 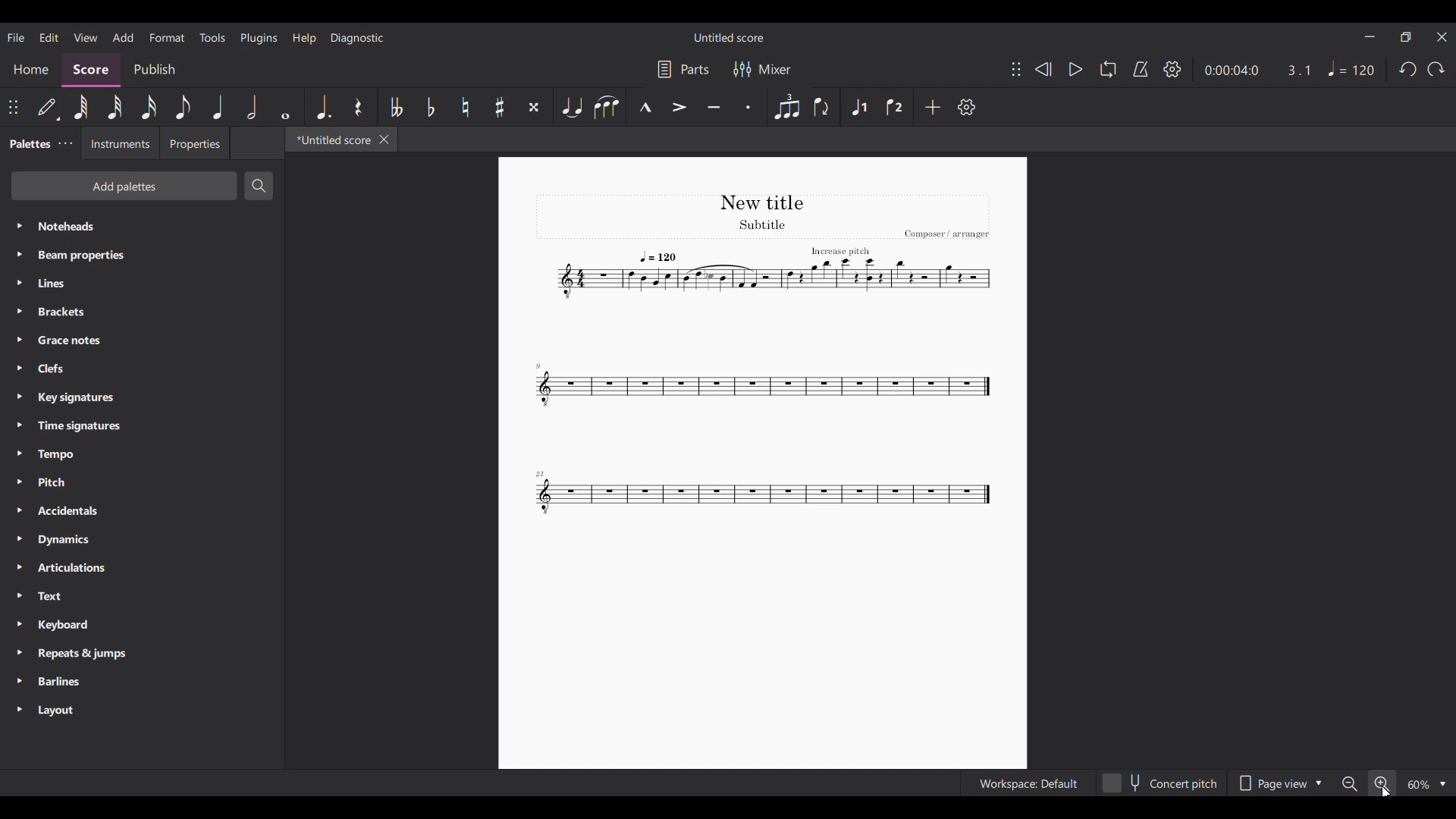 I want to click on Home section, so click(x=31, y=70).